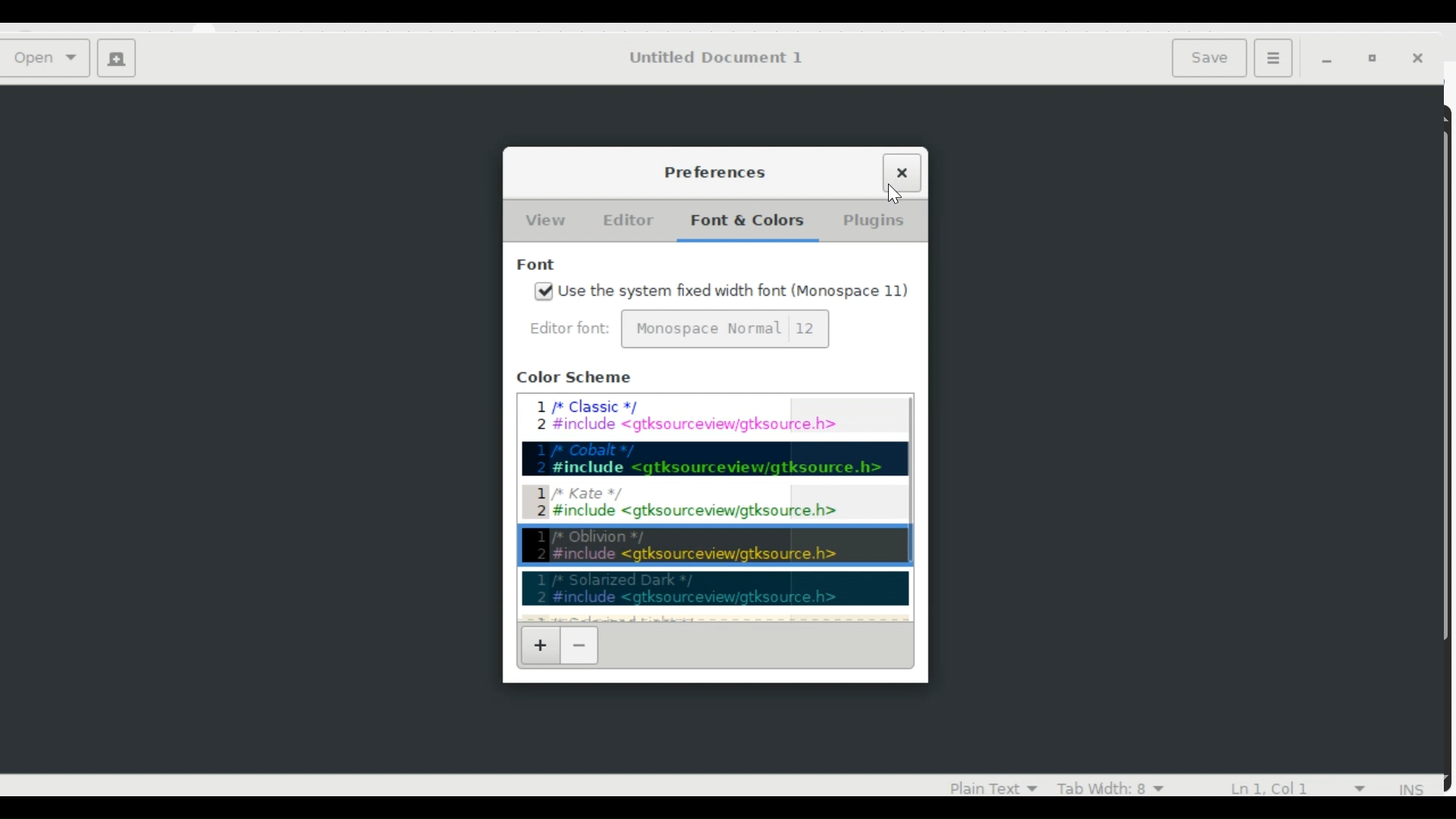 The image size is (1456, 819). I want to click on Application menu, so click(1272, 57).